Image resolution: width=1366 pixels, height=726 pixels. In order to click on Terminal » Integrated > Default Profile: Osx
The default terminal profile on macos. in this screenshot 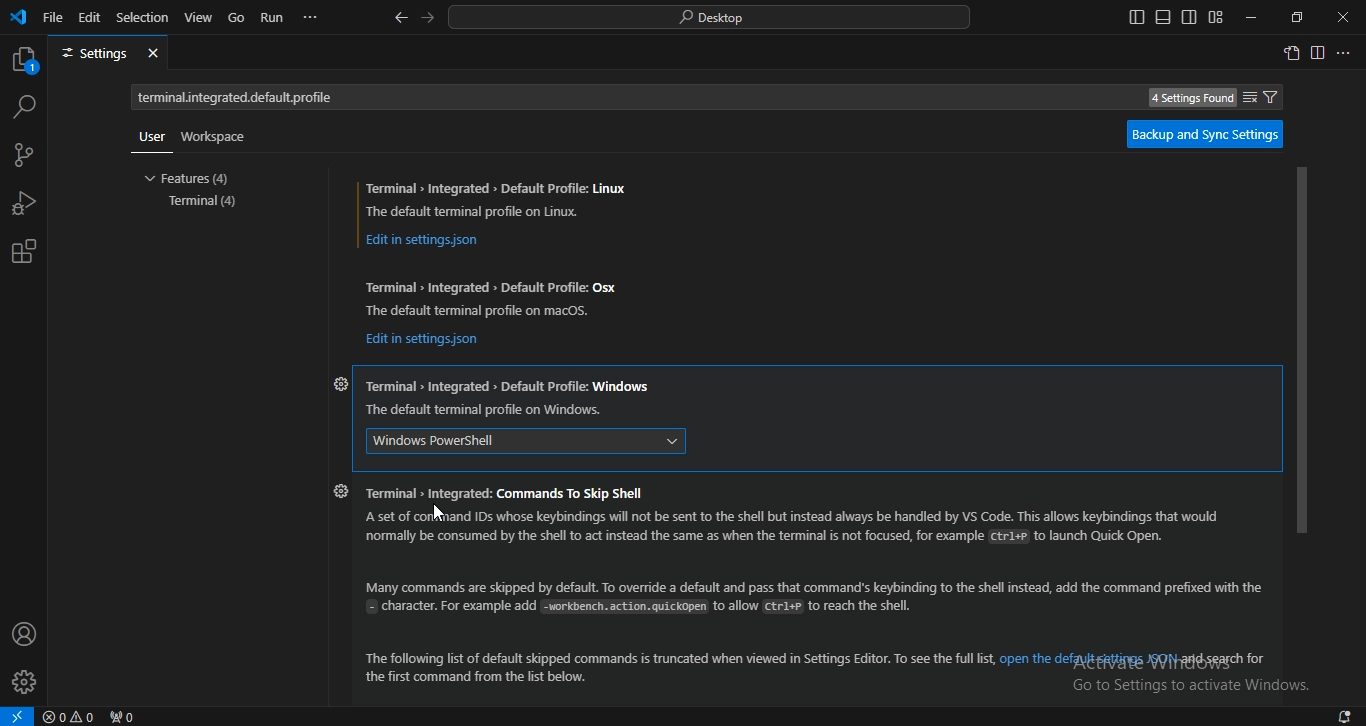, I will do `click(496, 296)`.